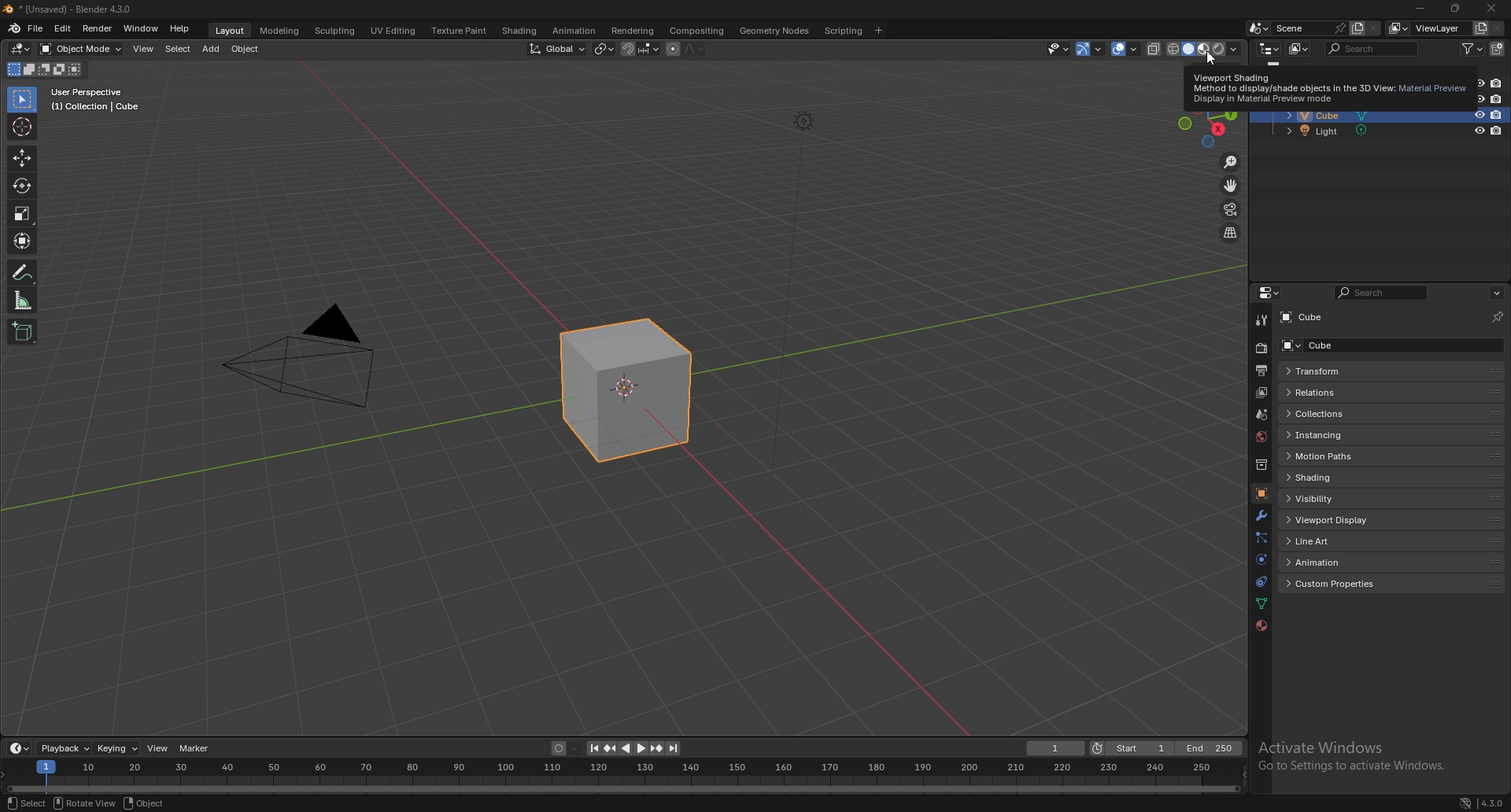  What do you see at coordinates (1496, 131) in the screenshot?
I see `disable in renders` at bounding box center [1496, 131].